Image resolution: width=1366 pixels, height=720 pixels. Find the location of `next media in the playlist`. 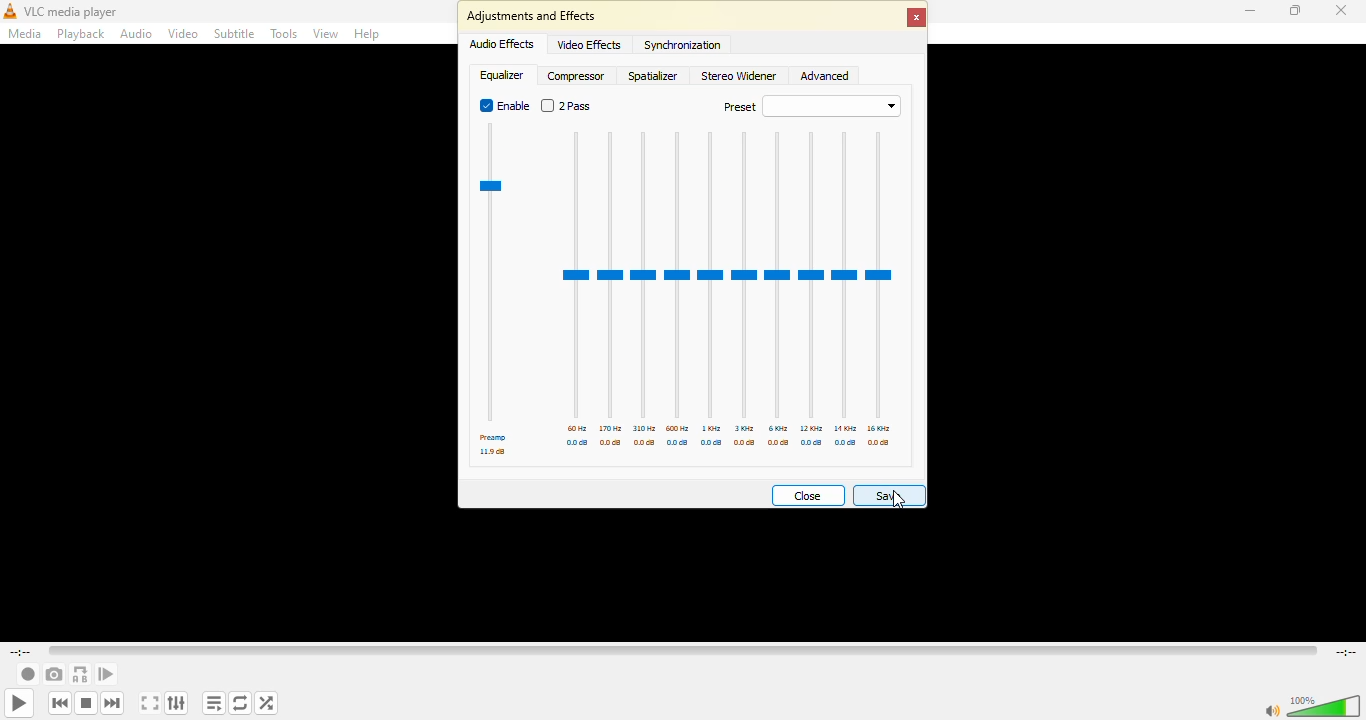

next media in the playlist is located at coordinates (112, 703).